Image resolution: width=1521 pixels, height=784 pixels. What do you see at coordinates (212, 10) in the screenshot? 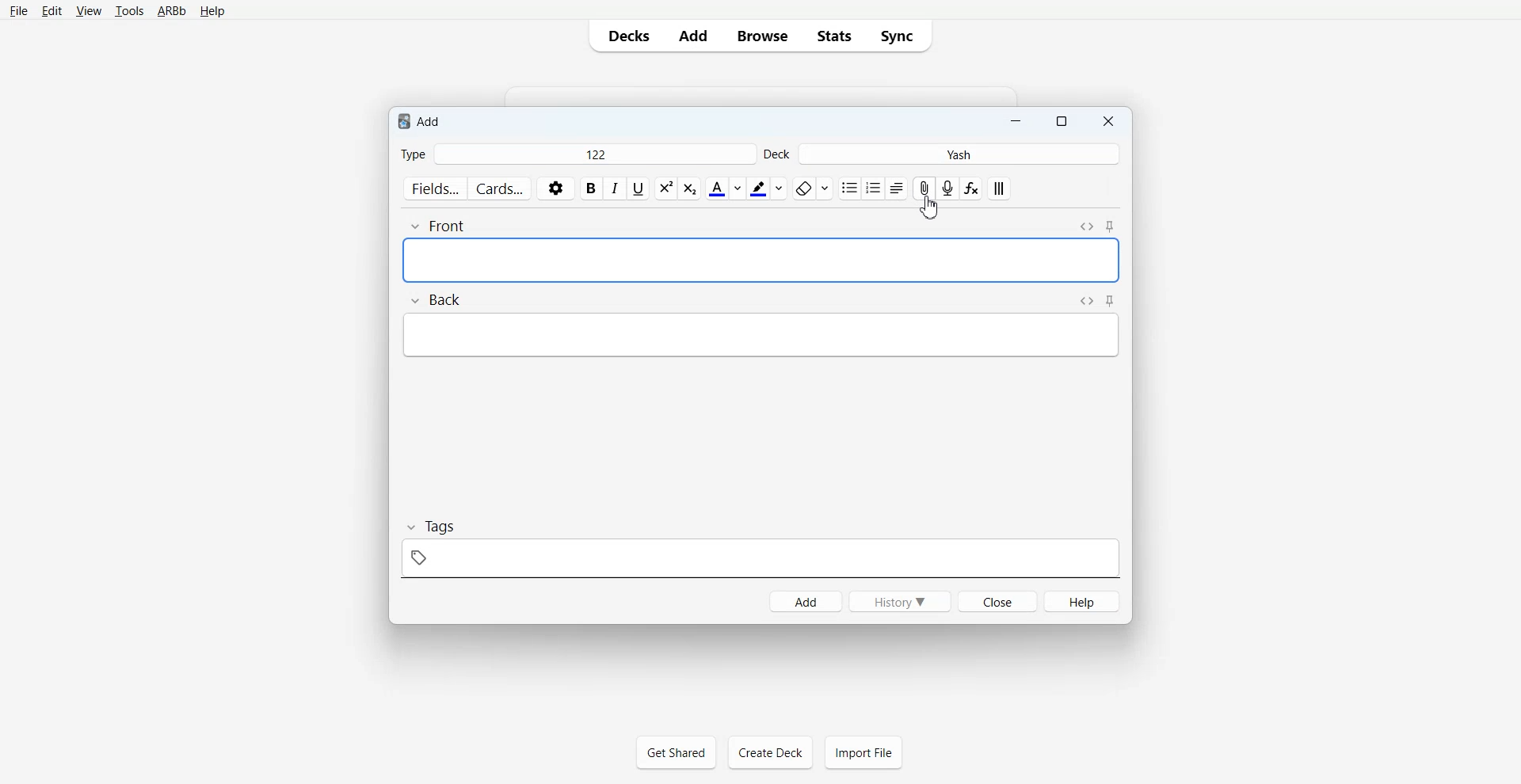
I see `Help` at bounding box center [212, 10].